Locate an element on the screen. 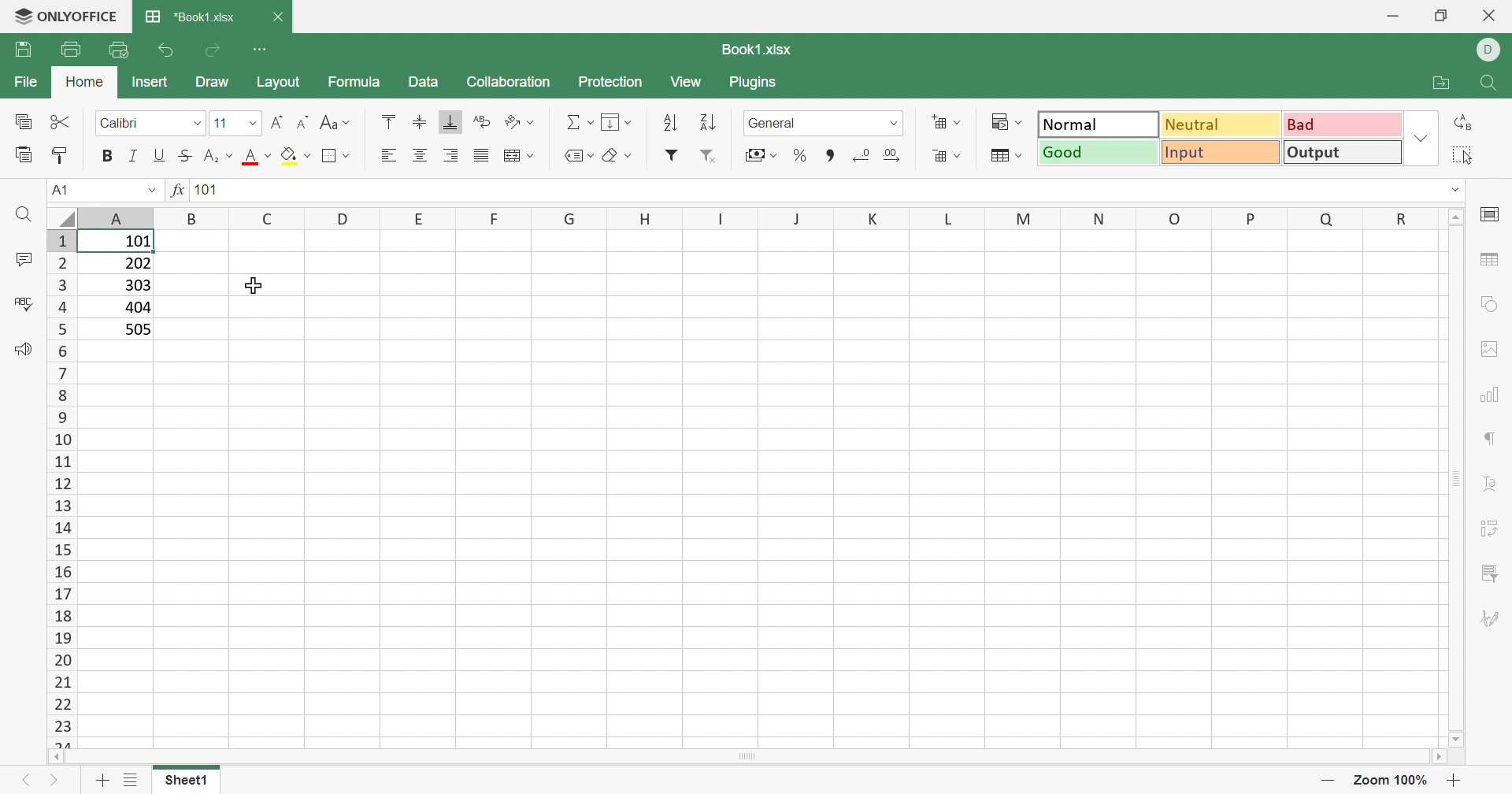 This screenshot has height=794, width=1512. Book1.xlsx is located at coordinates (754, 51).